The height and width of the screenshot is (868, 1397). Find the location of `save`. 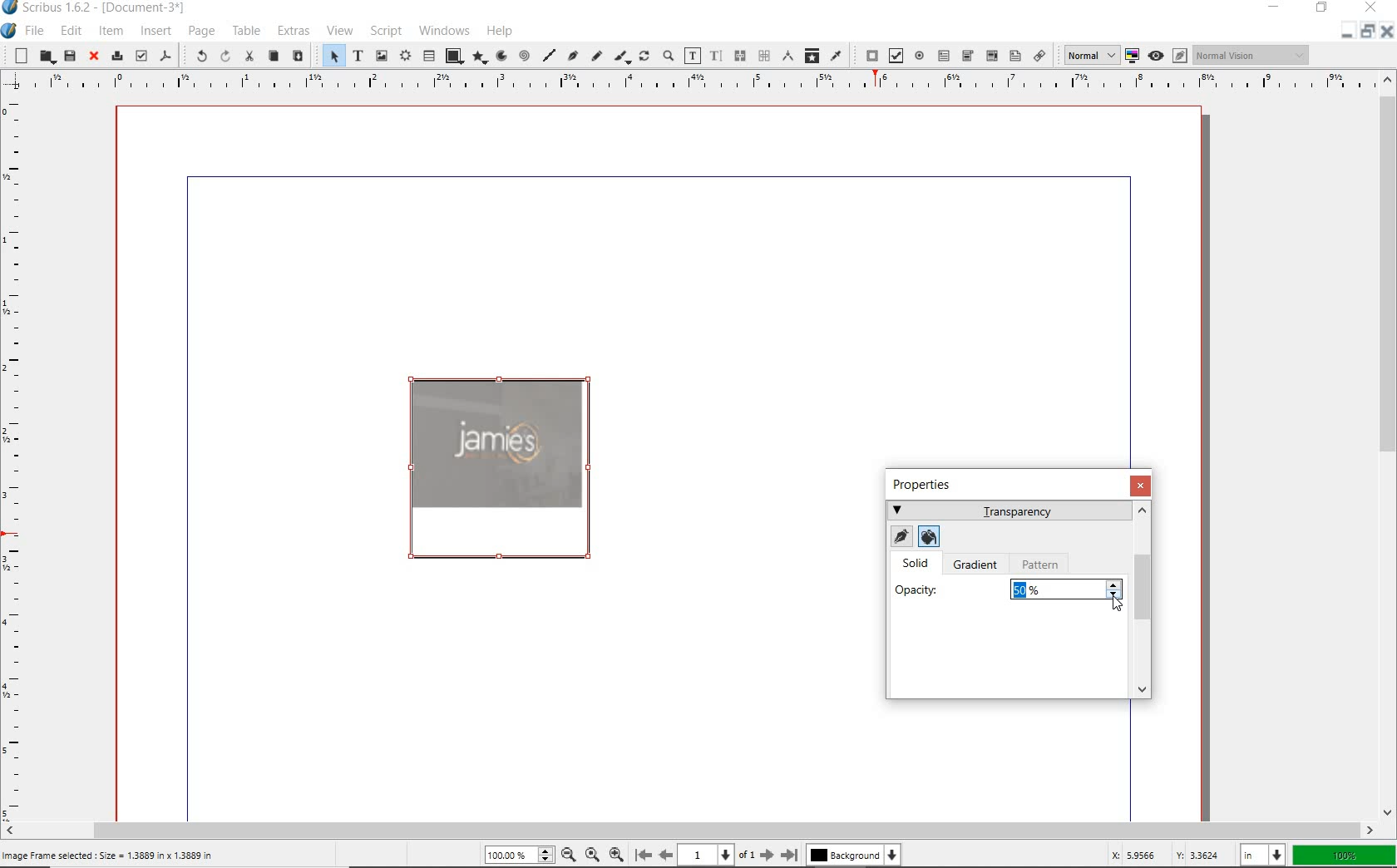

save is located at coordinates (69, 55).